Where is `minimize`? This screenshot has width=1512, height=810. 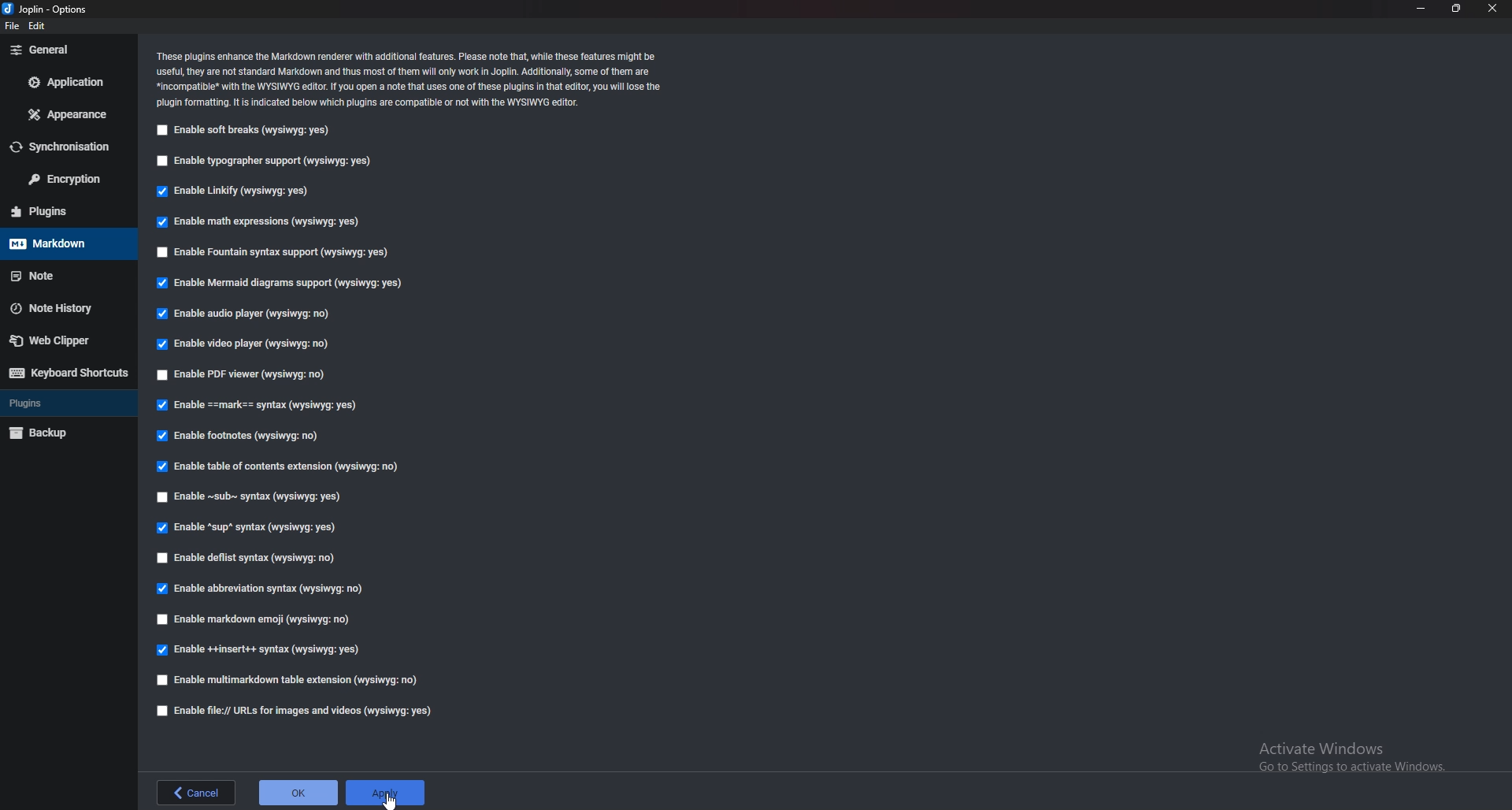
minimize is located at coordinates (1423, 8).